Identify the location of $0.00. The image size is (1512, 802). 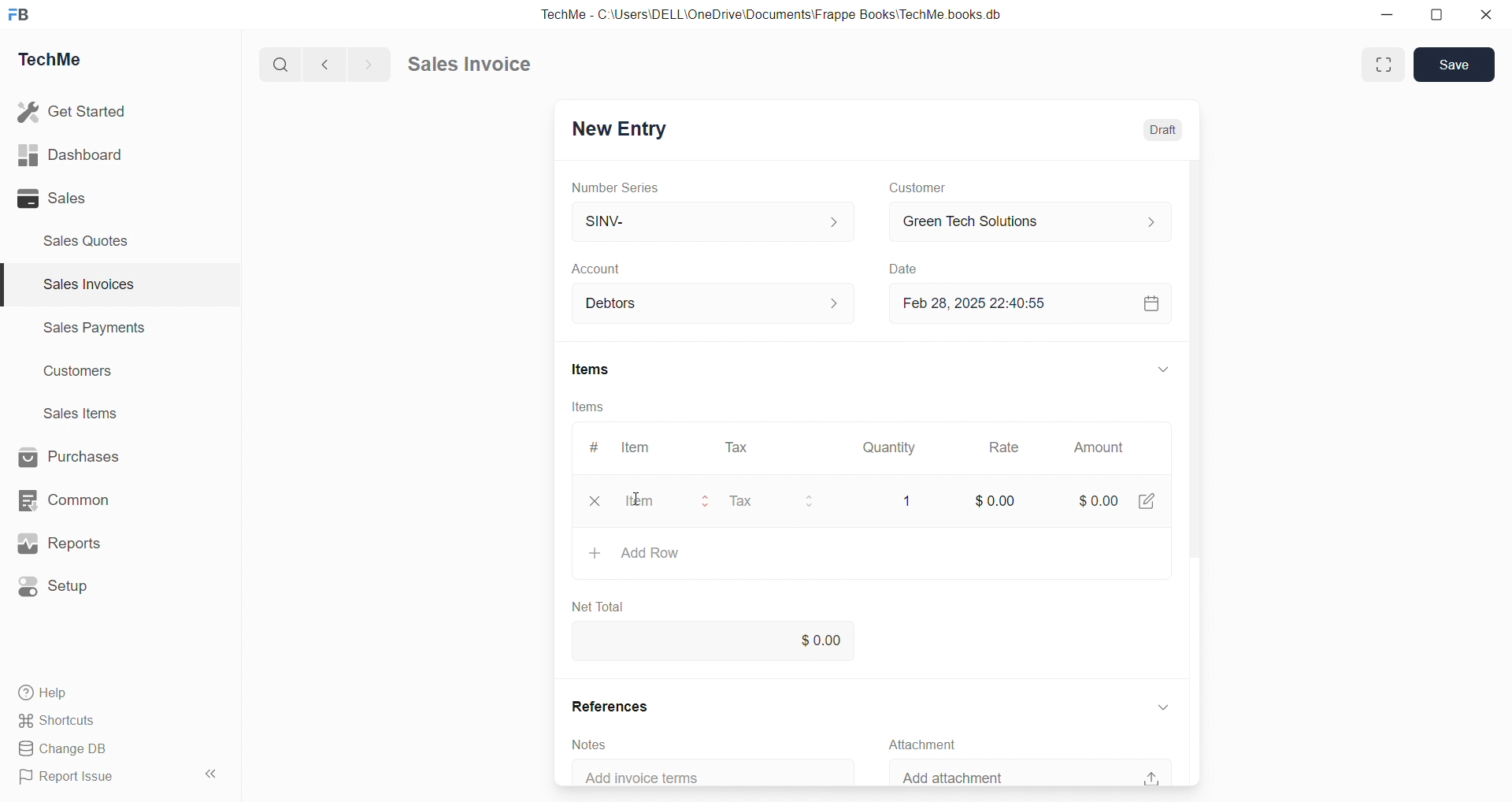
(1099, 501).